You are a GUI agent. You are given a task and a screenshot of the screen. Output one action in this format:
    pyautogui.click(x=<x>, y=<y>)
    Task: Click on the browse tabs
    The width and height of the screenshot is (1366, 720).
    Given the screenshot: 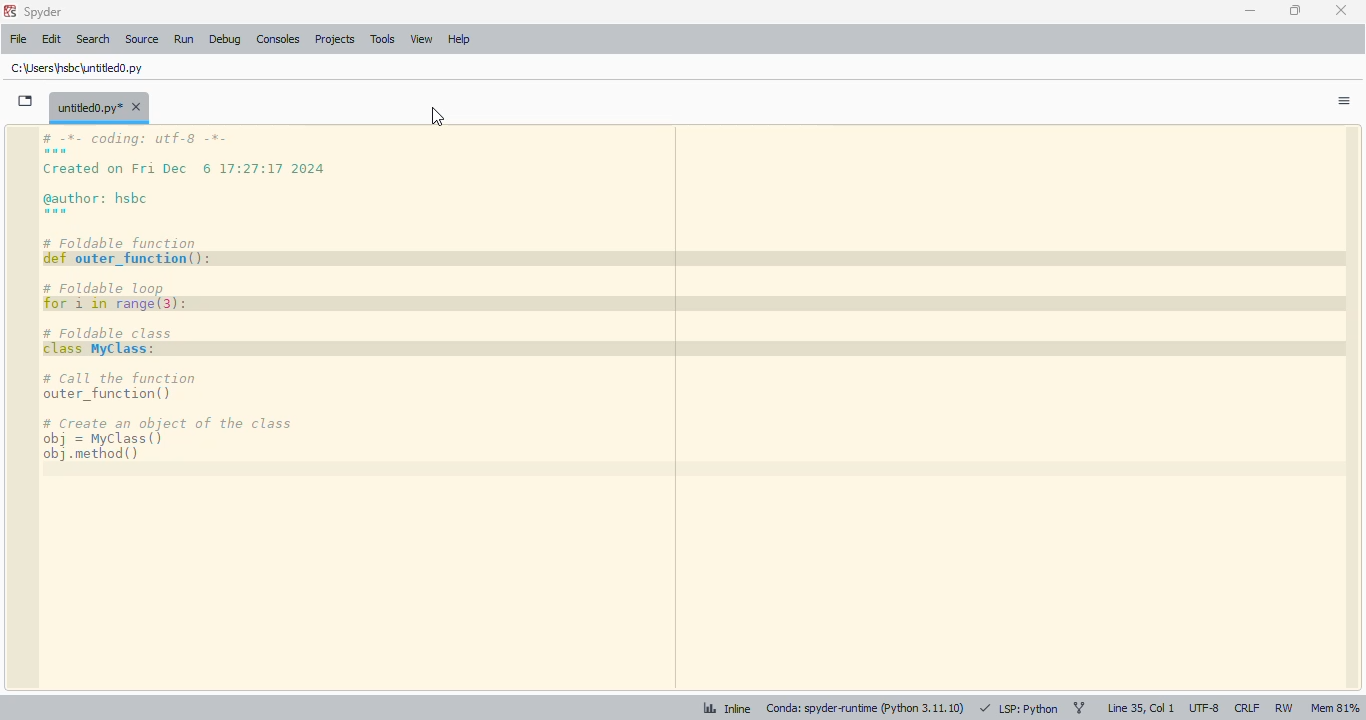 What is the action you would take?
    pyautogui.click(x=24, y=101)
    